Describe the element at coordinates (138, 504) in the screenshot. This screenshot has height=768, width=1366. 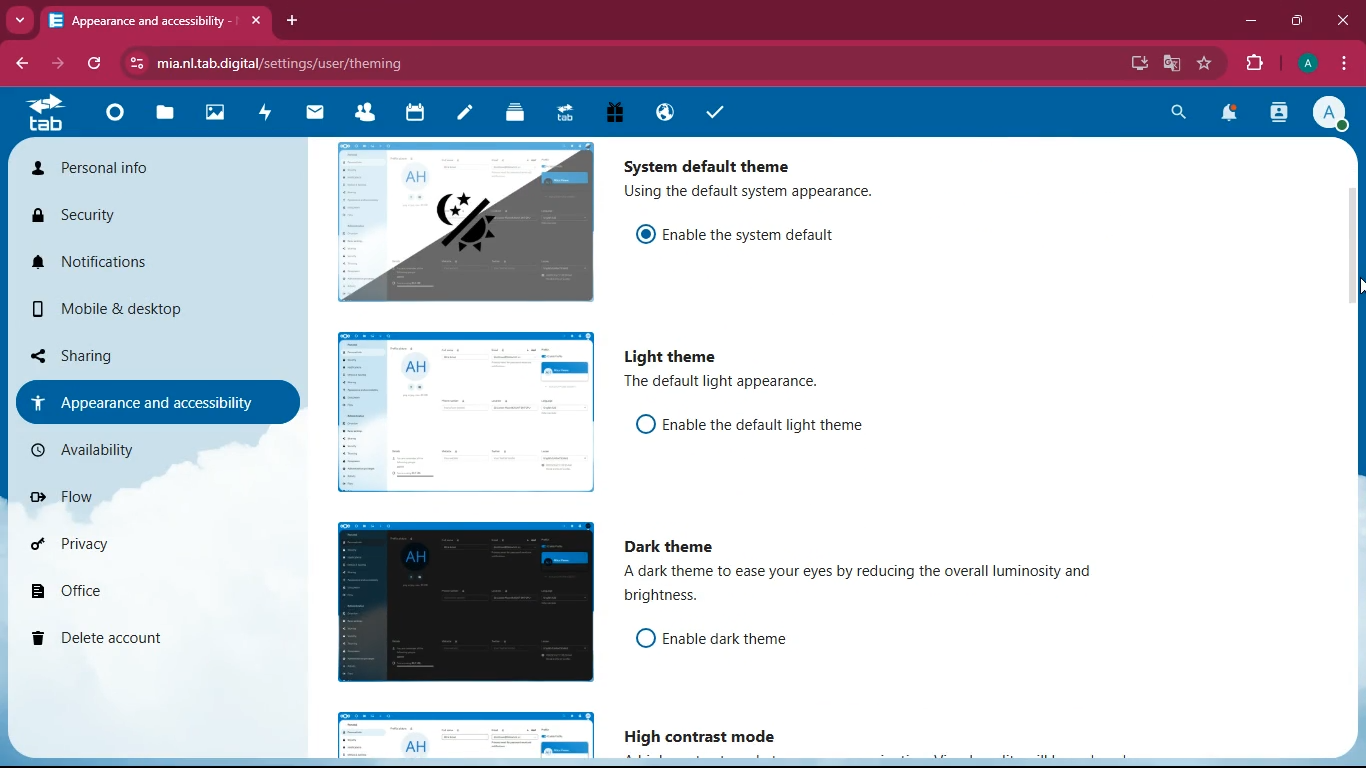
I see `flow` at that location.